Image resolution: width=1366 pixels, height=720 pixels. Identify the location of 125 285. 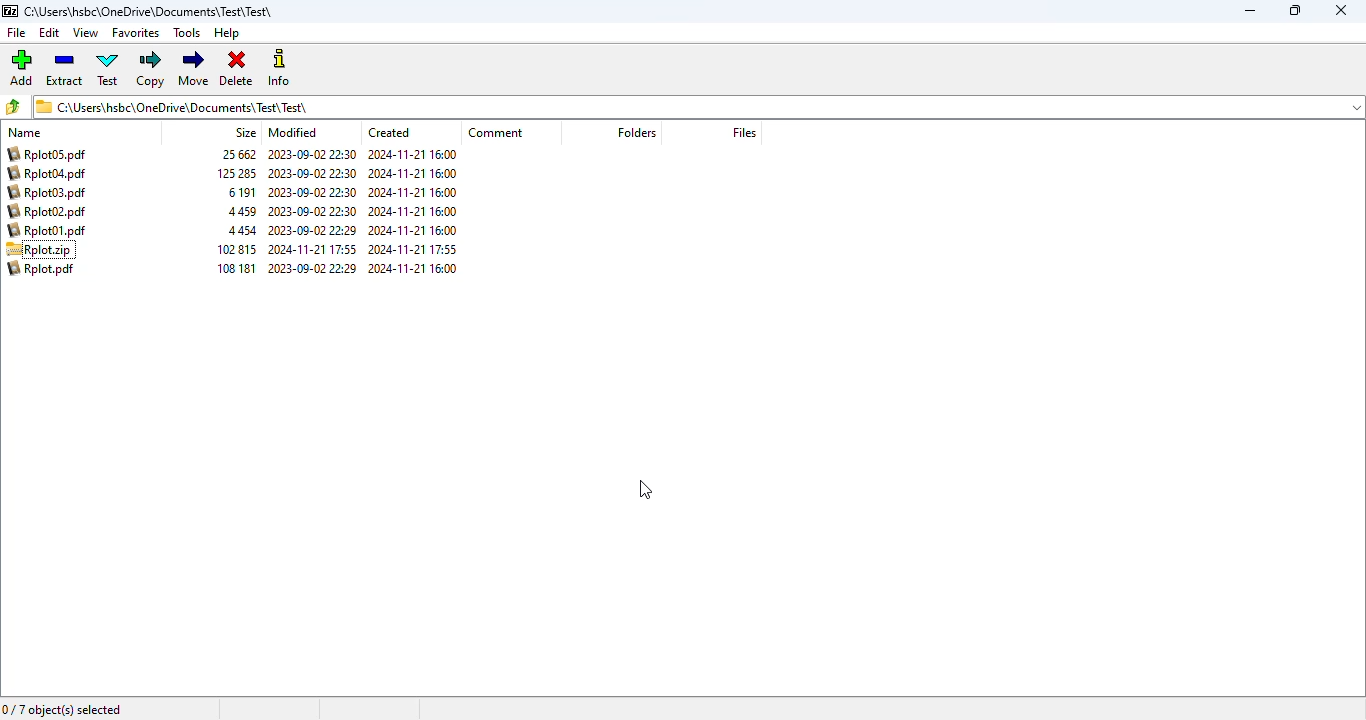
(237, 173).